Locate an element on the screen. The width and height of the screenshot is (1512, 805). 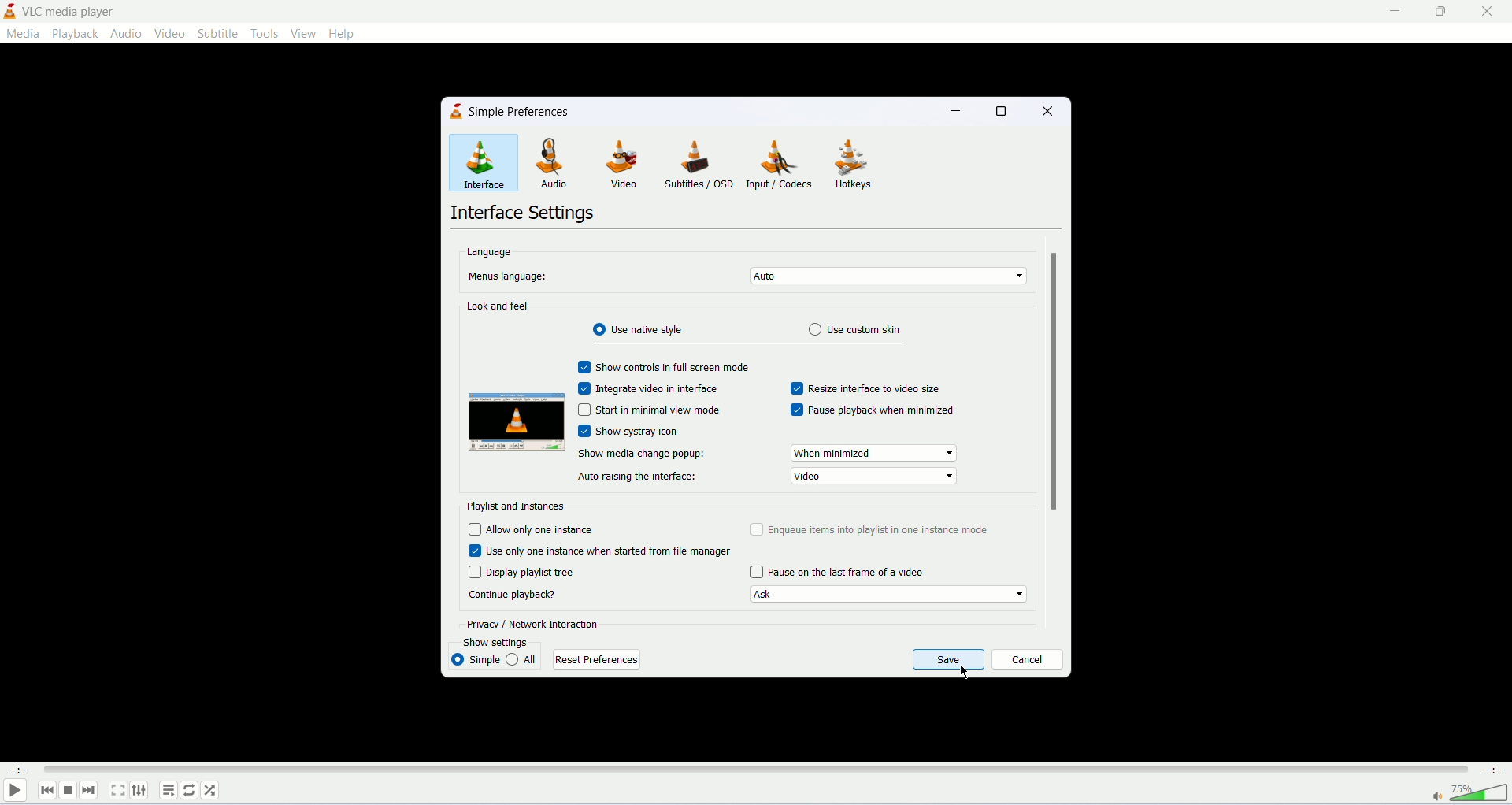
input/coders is located at coordinates (779, 165).